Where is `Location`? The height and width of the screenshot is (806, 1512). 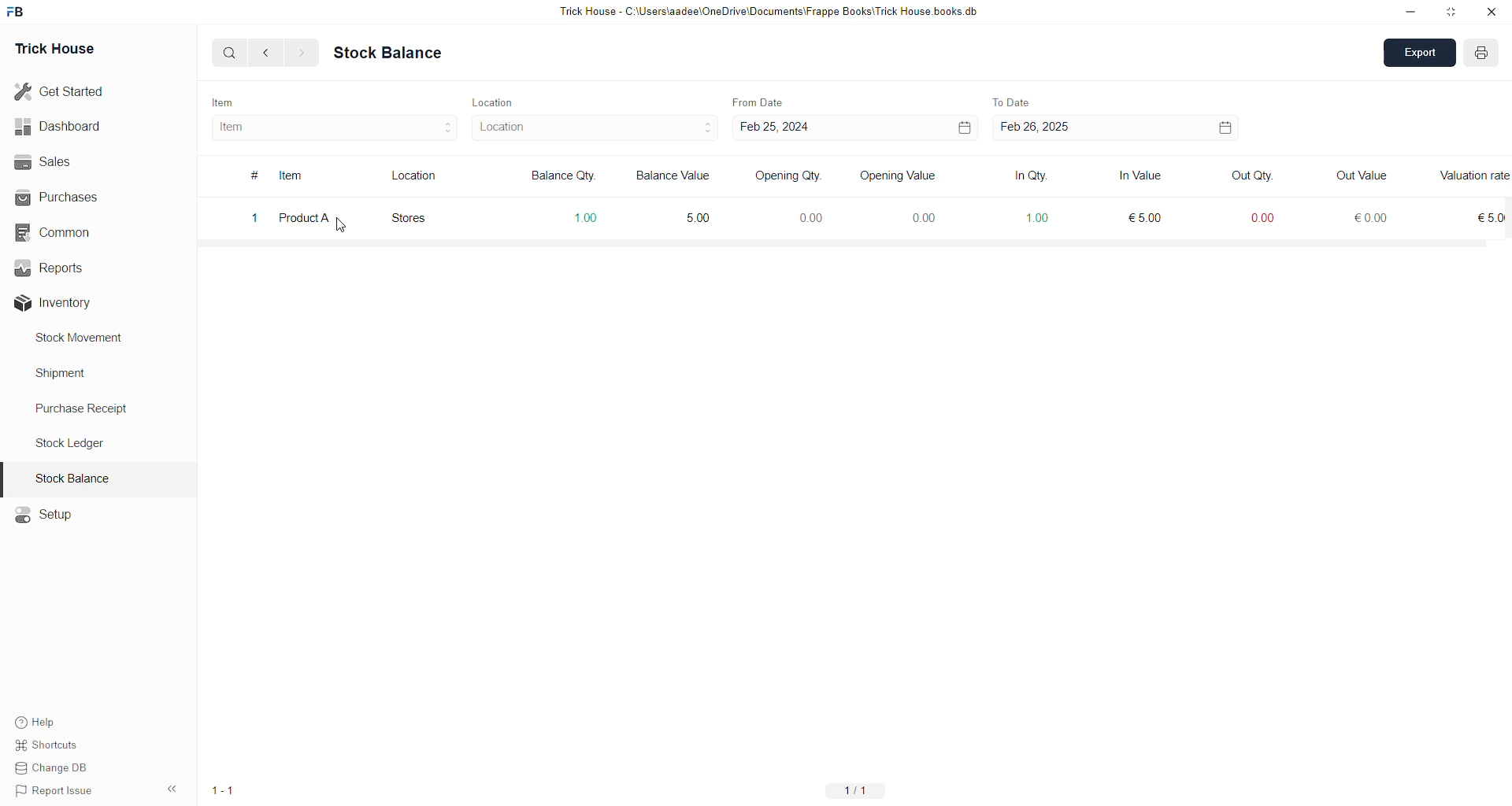
Location is located at coordinates (593, 129).